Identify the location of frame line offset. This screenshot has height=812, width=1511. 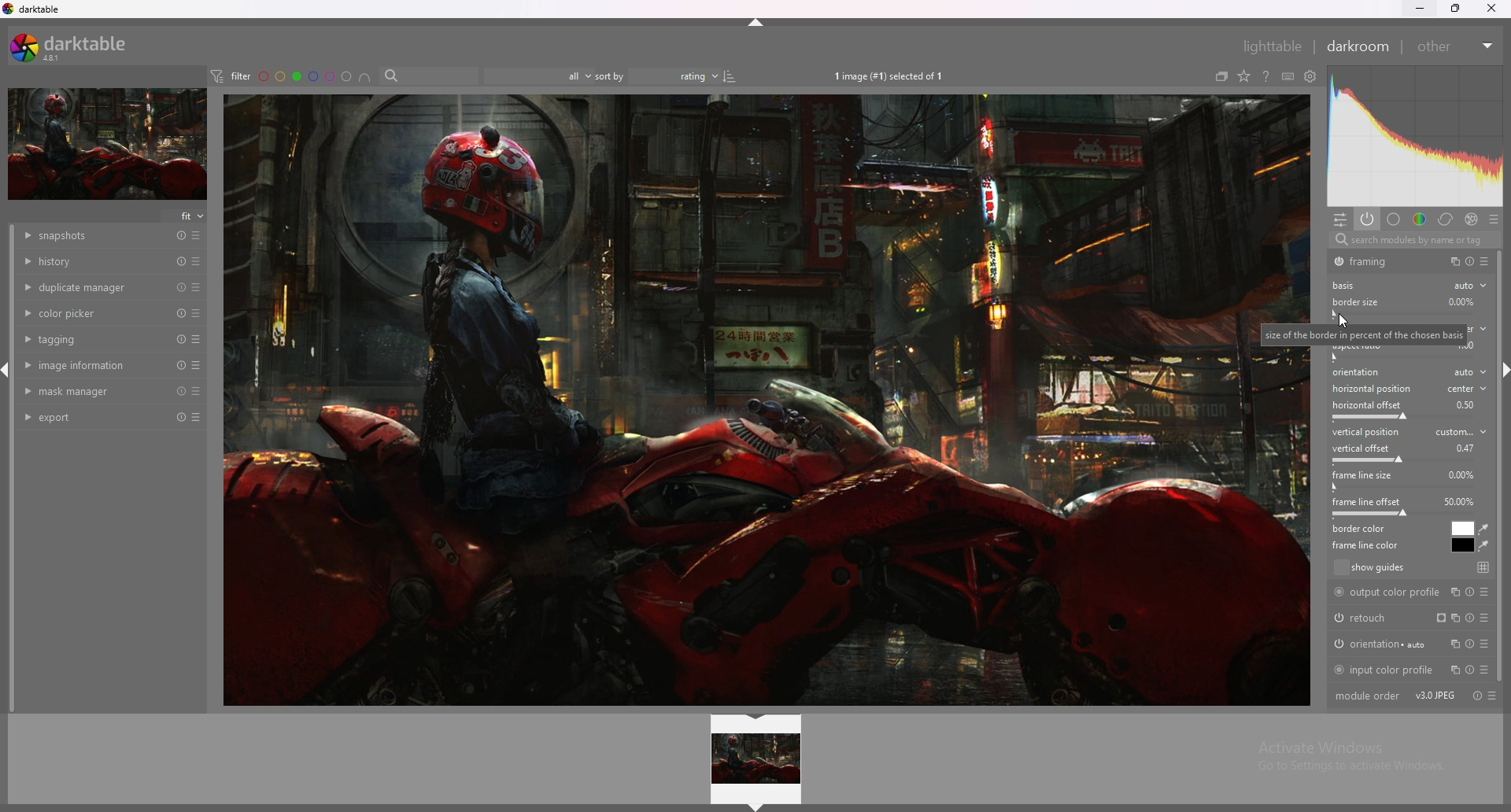
(1367, 501).